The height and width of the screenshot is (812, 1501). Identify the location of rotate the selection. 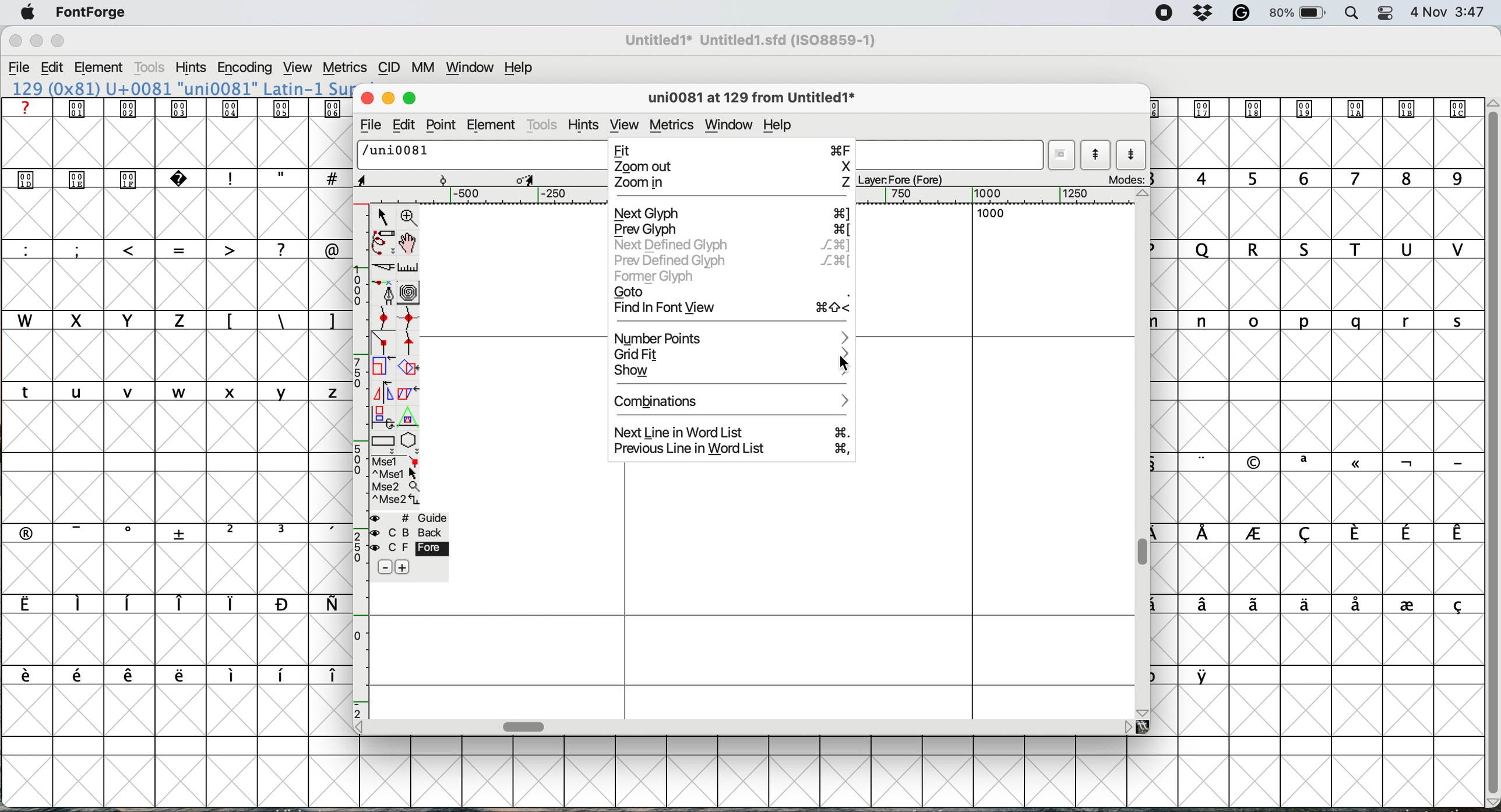
(407, 369).